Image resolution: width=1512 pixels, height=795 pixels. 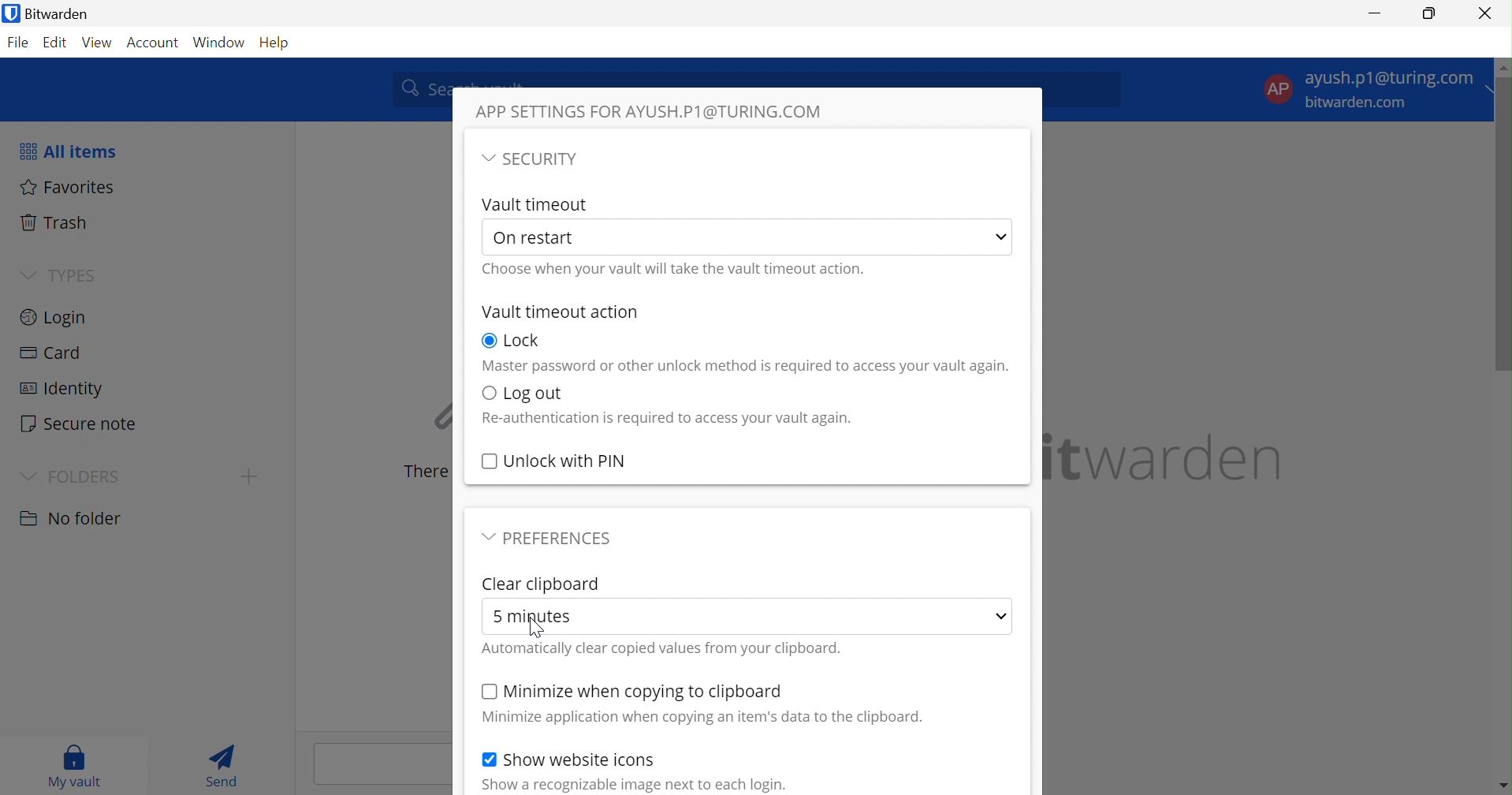 What do you see at coordinates (648, 110) in the screenshot?
I see `APP SETTINGS FOR AYUSH.P1@TURING.COM` at bounding box center [648, 110].